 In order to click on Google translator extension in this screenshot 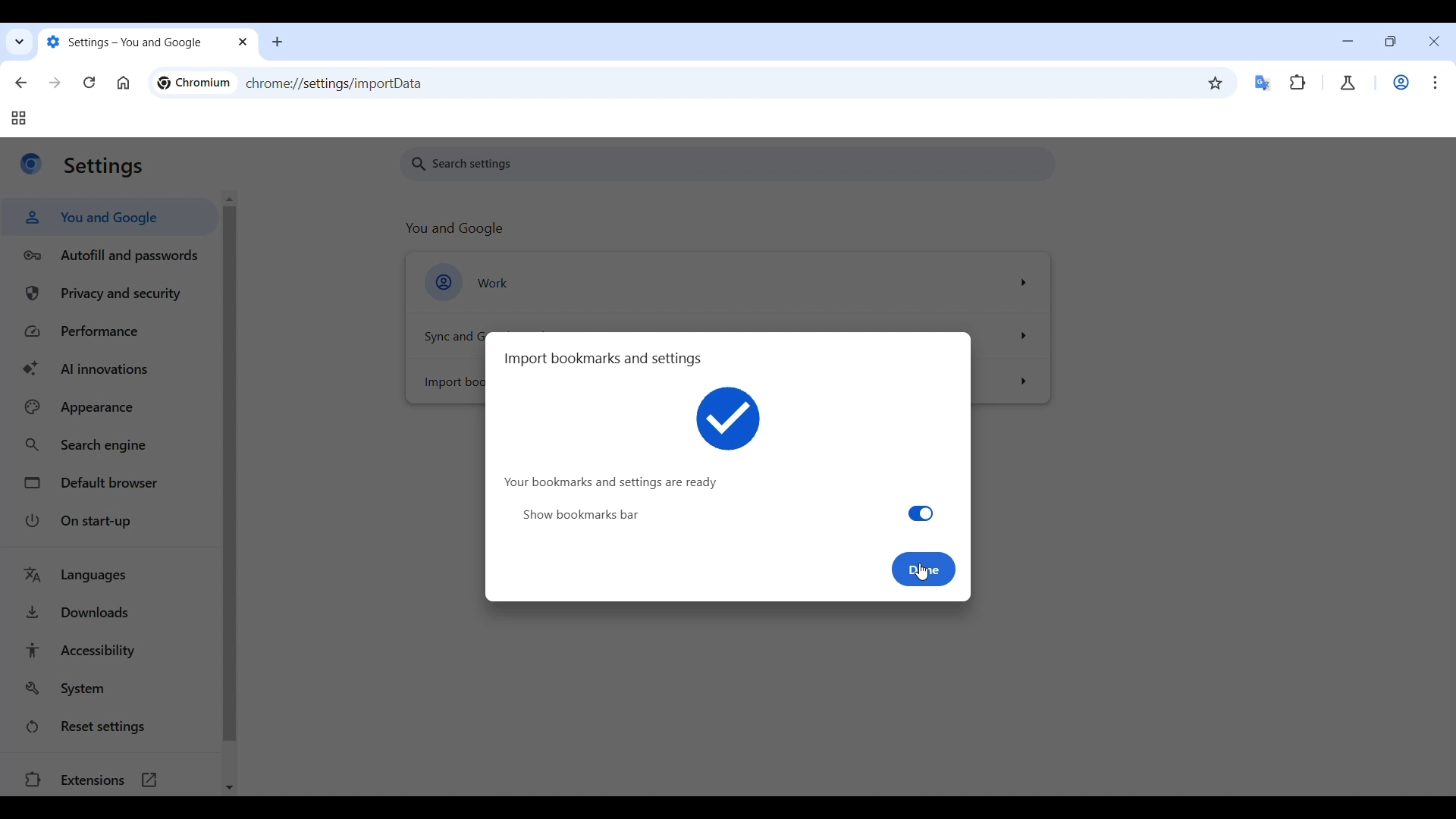, I will do `click(1264, 83)`.